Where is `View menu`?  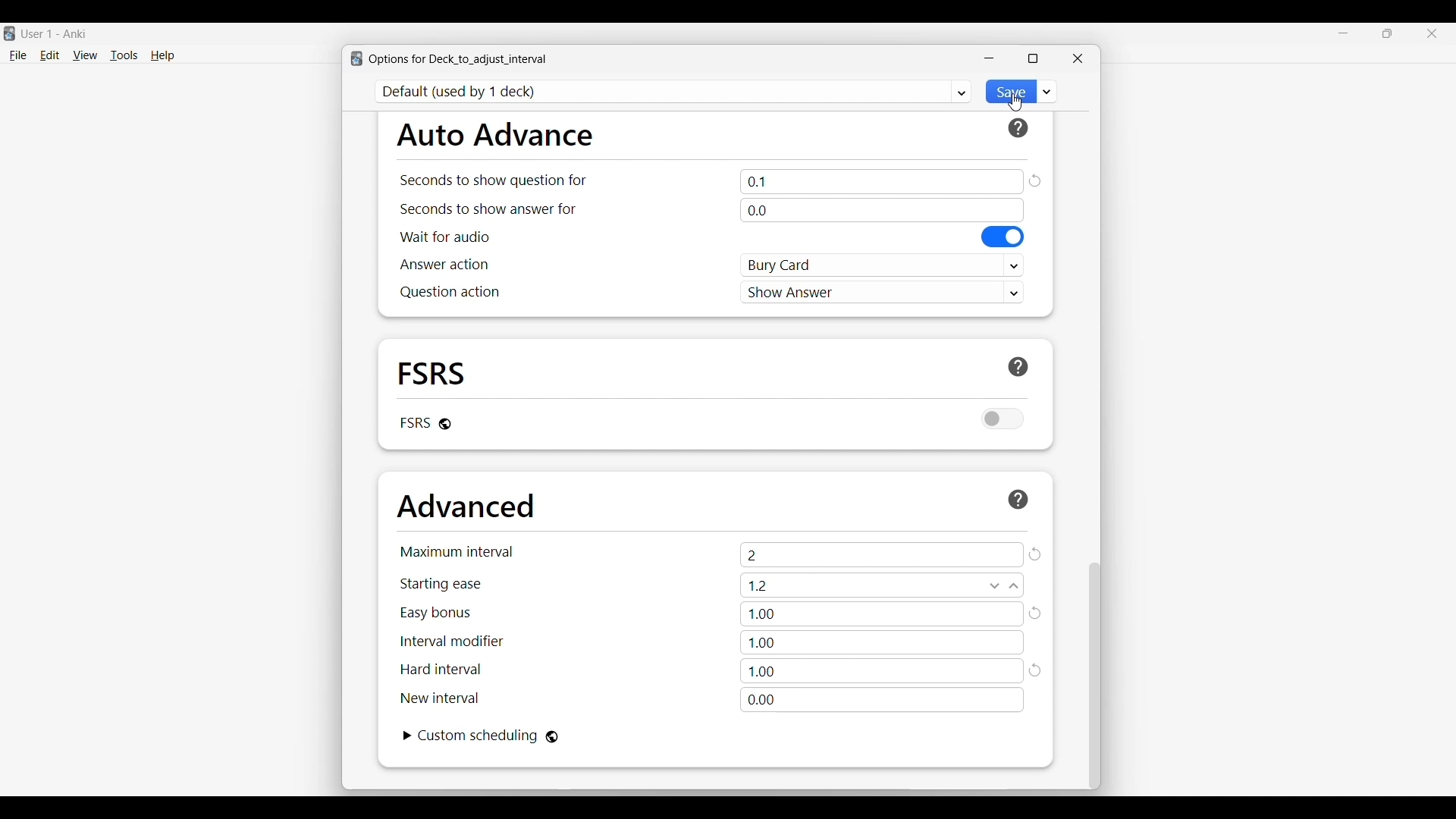 View menu is located at coordinates (85, 55).